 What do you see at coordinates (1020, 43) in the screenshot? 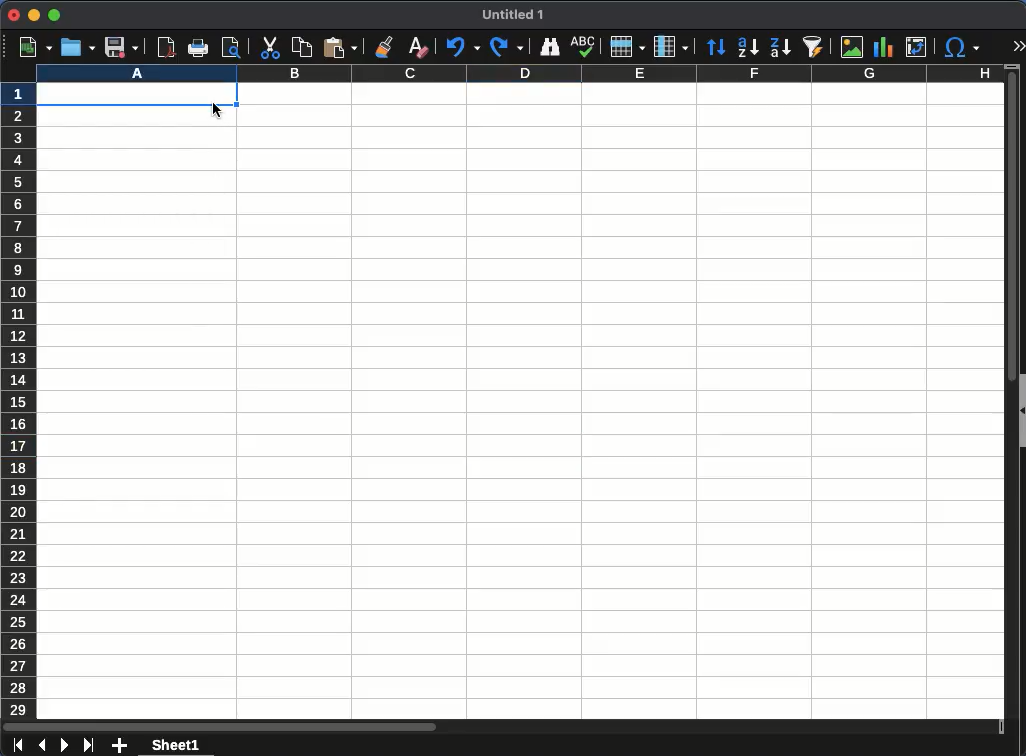
I see `expand` at bounding box center [1020, 43].